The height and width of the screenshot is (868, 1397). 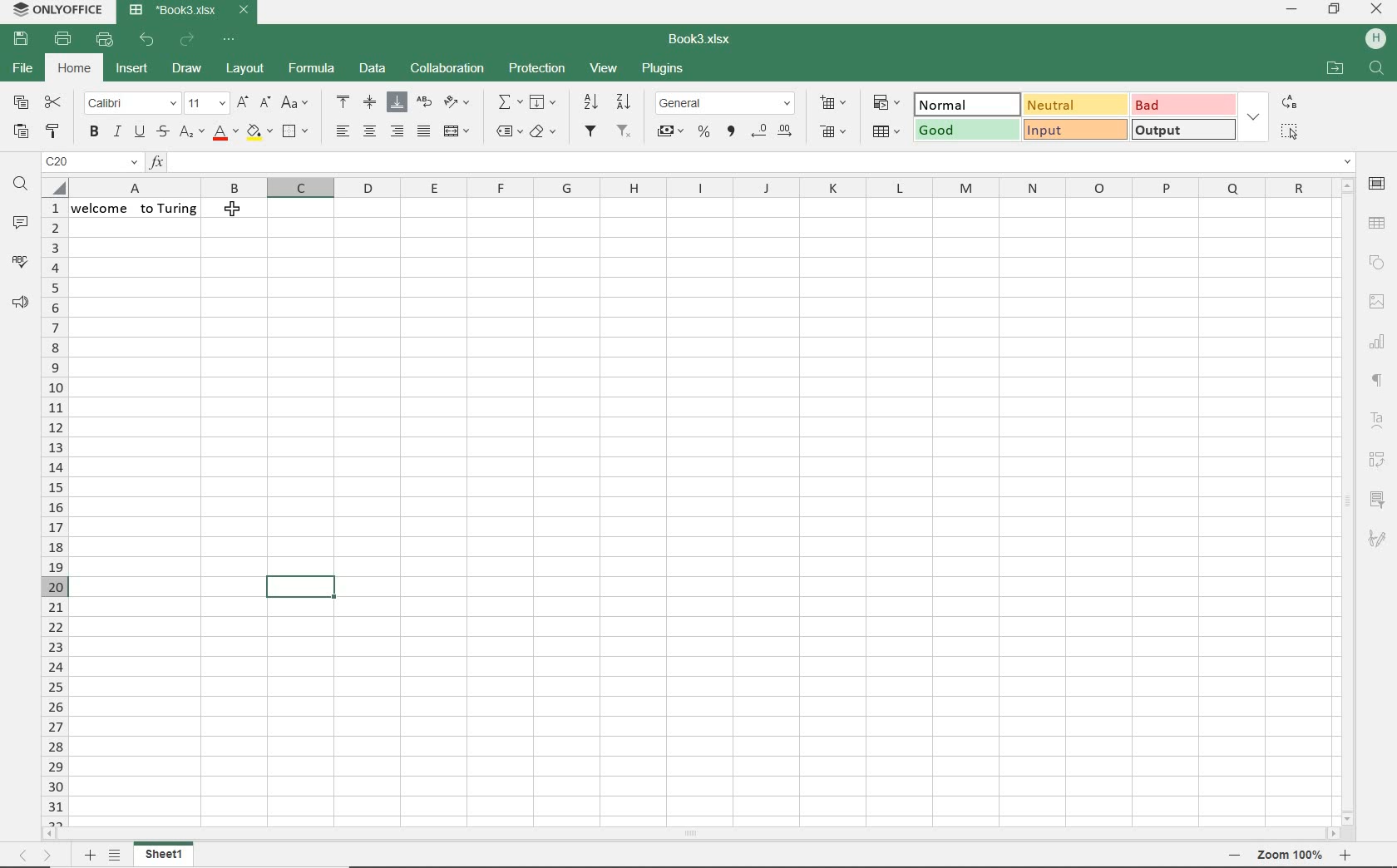 I want to click on zoom out, so click(x=1288, y=855).